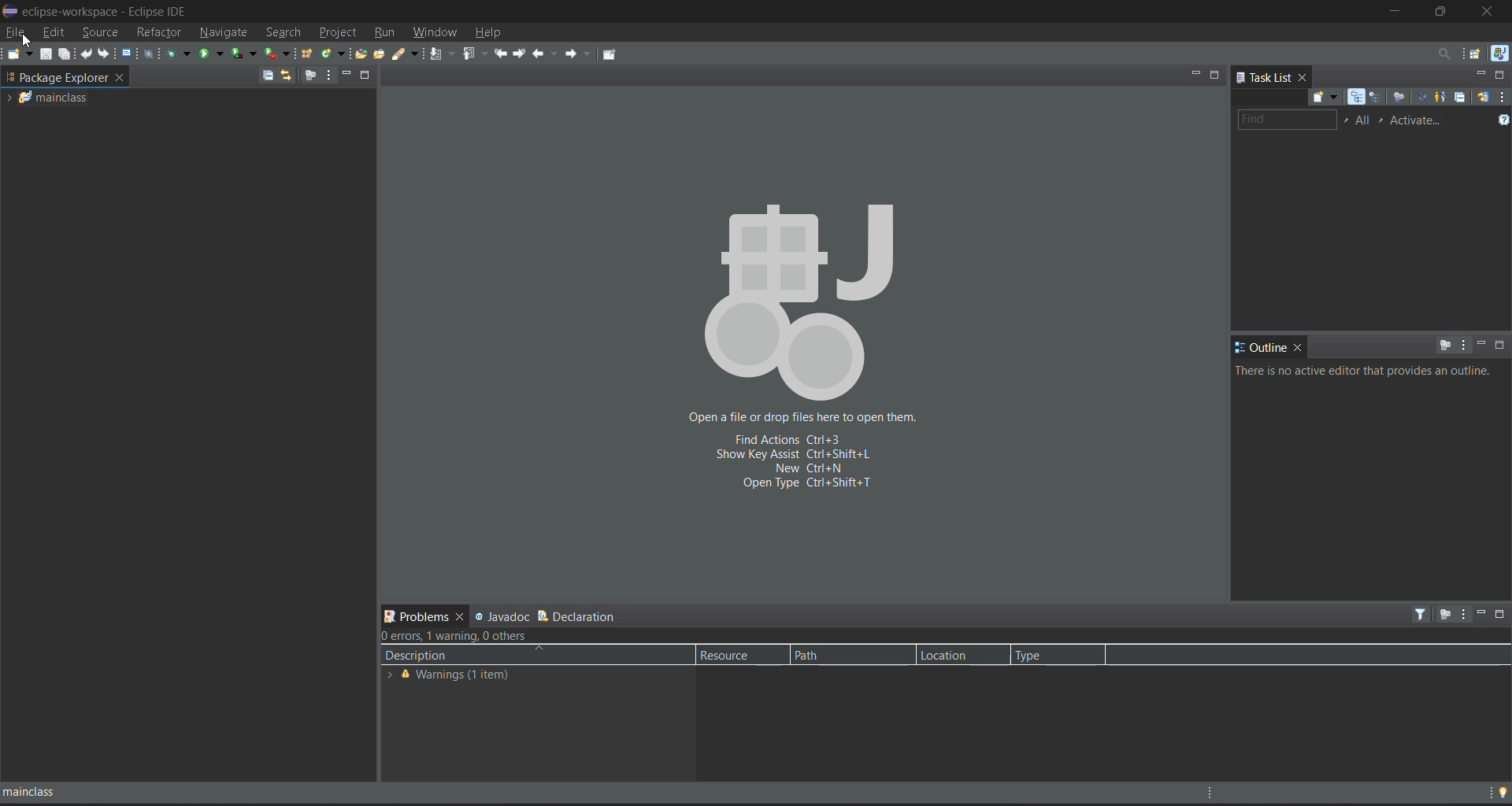  What do you see at coordinates (1322, 97) in the screenshot?
I see `new task` at bounding box center [1322, 97].